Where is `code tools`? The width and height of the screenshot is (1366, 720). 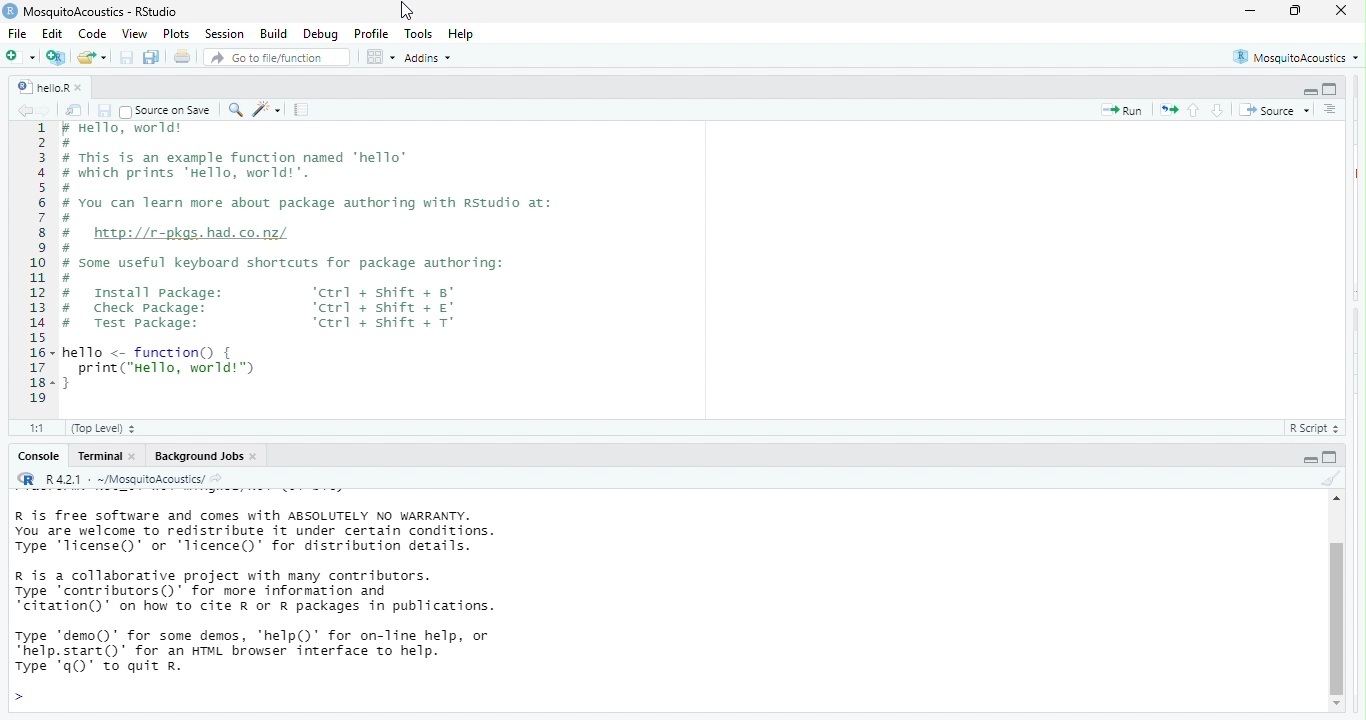
code tools is located at coordinates (269, 110).